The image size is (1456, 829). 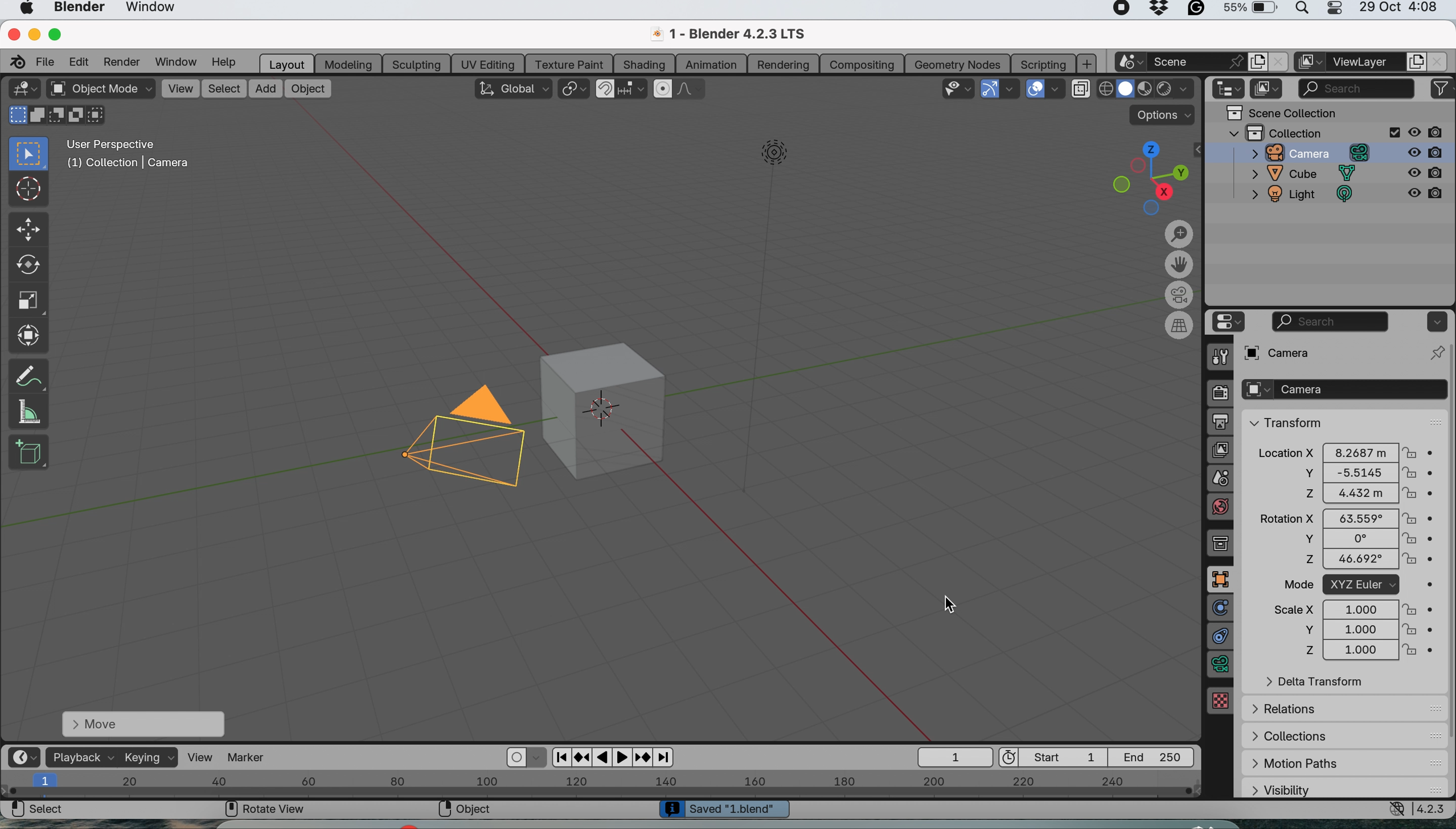 I want to click on scale, so click(x=26, y=298).